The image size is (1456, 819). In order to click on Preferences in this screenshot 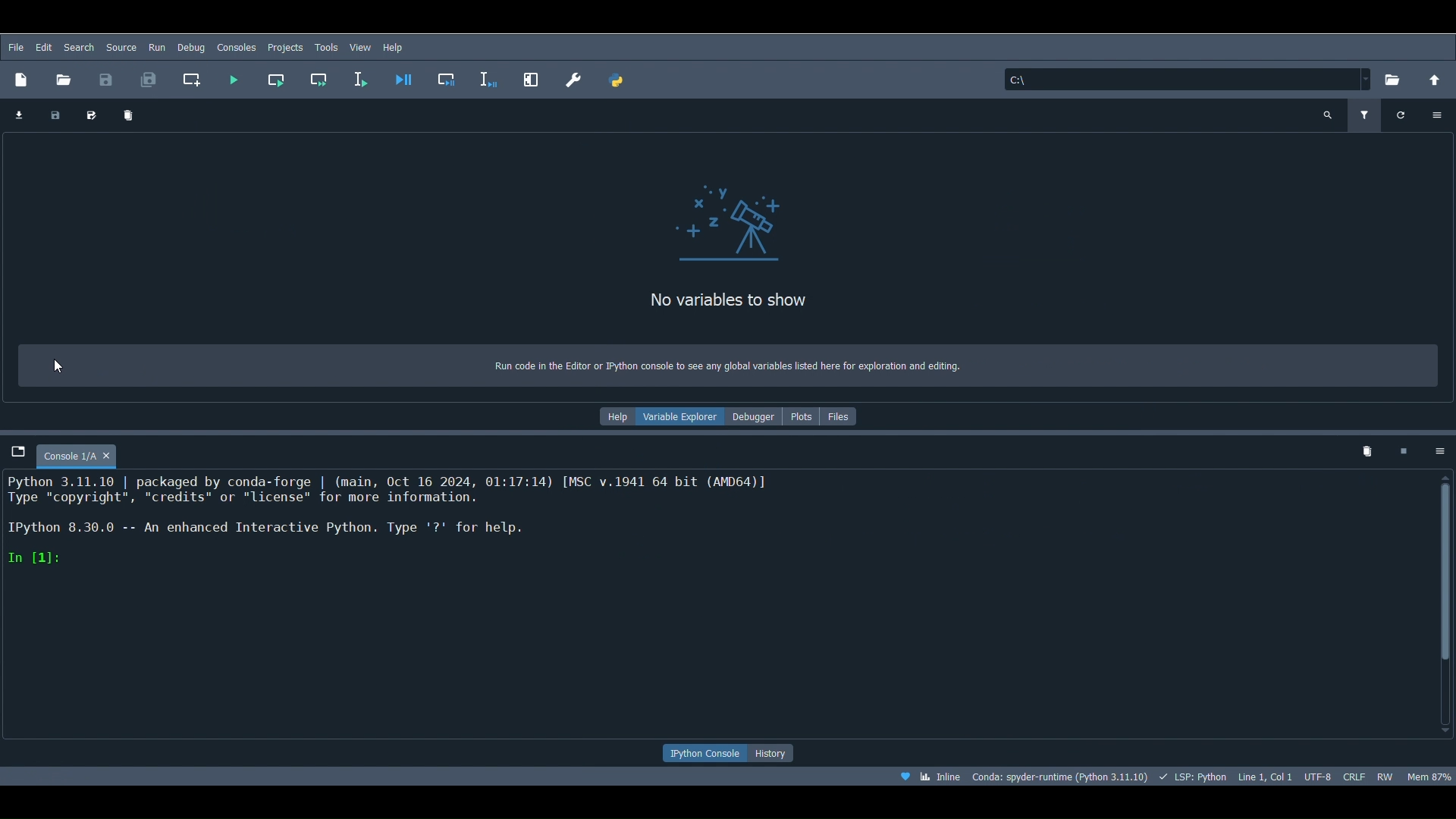, I will do `click(574, 76)`.